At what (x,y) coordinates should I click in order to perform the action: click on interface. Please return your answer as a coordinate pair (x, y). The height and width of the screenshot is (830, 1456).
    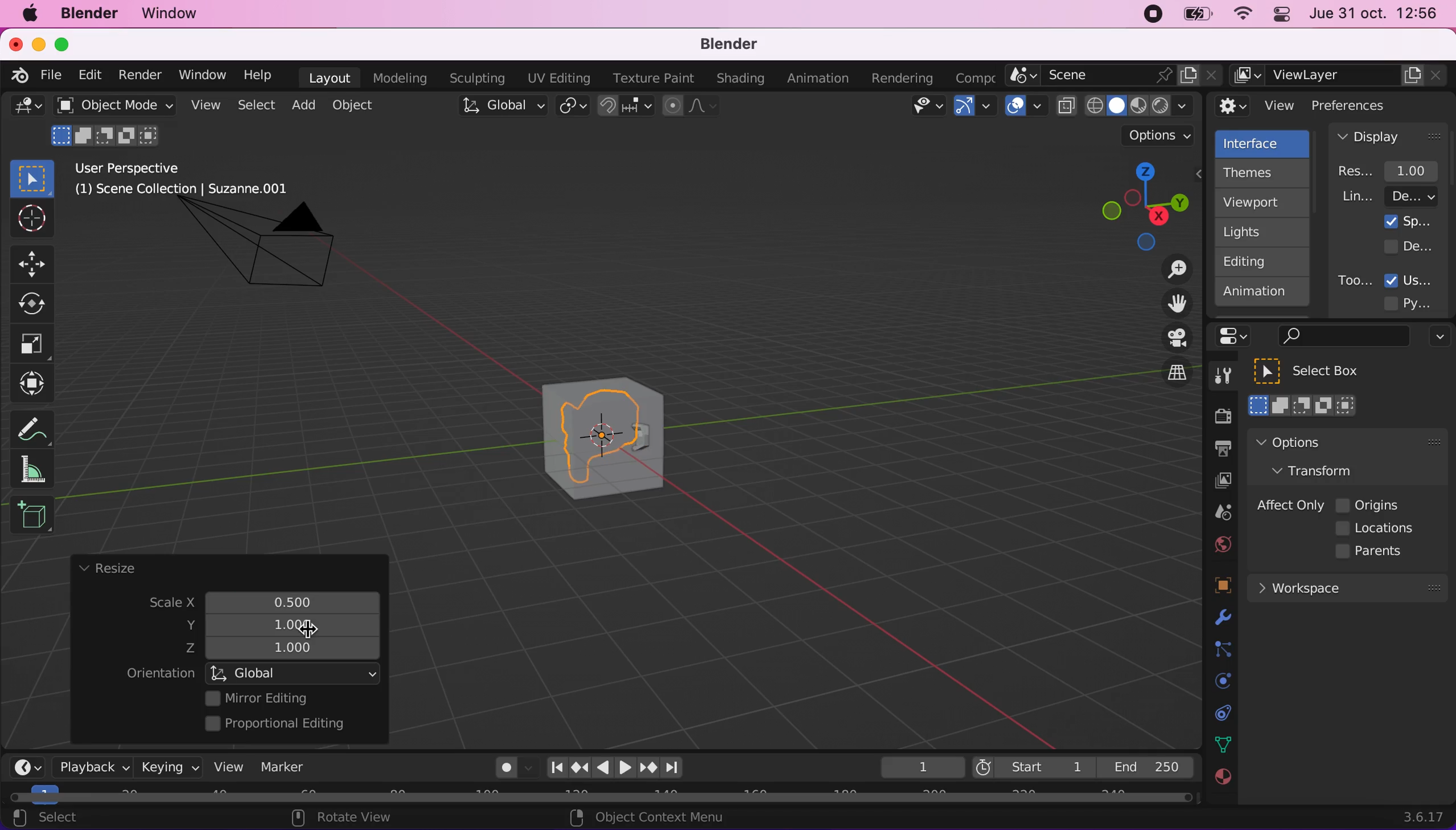
    Looking at the image, I should click on (1264, 142).